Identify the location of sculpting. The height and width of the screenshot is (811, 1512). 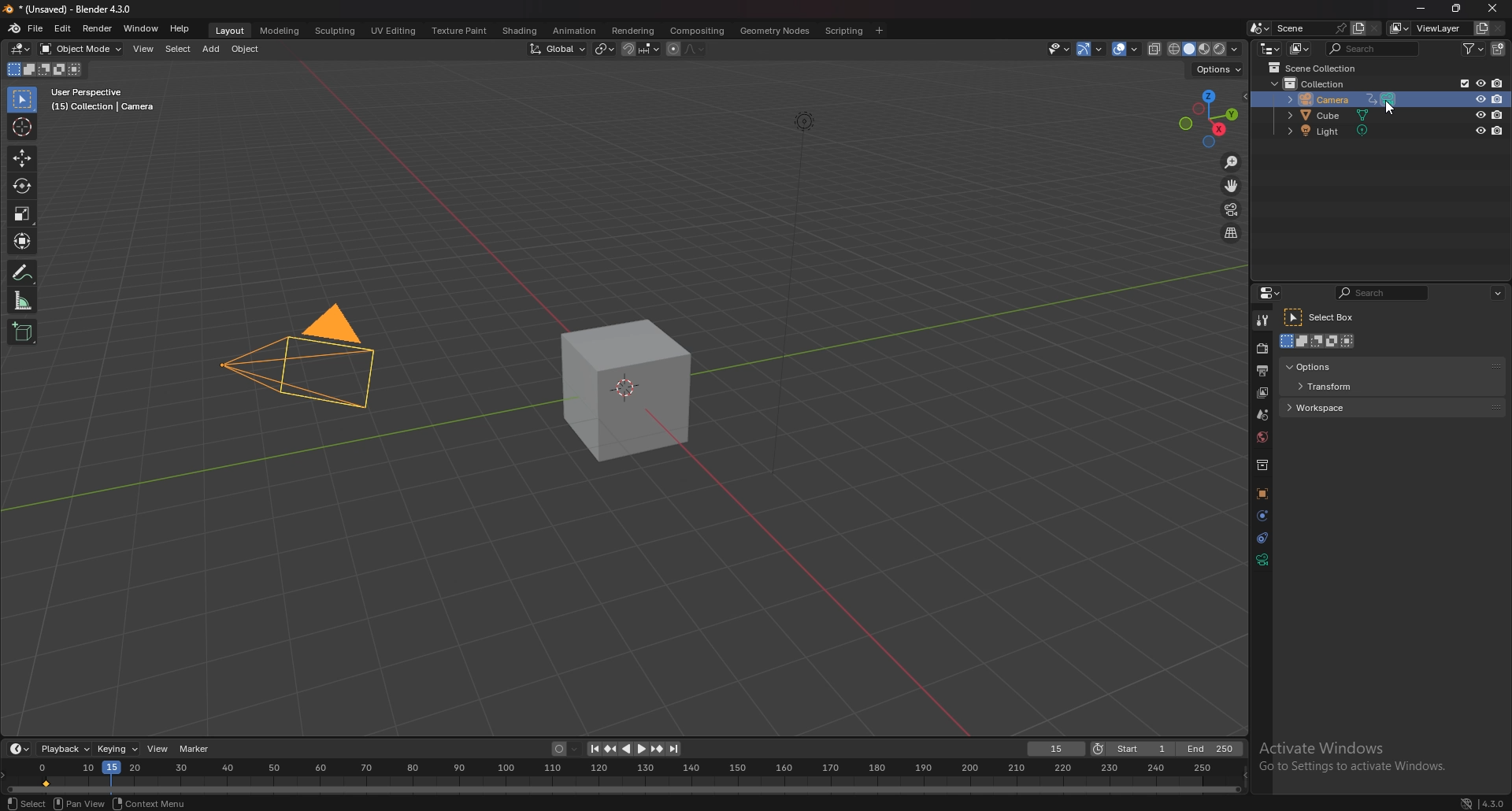
(335, 31).